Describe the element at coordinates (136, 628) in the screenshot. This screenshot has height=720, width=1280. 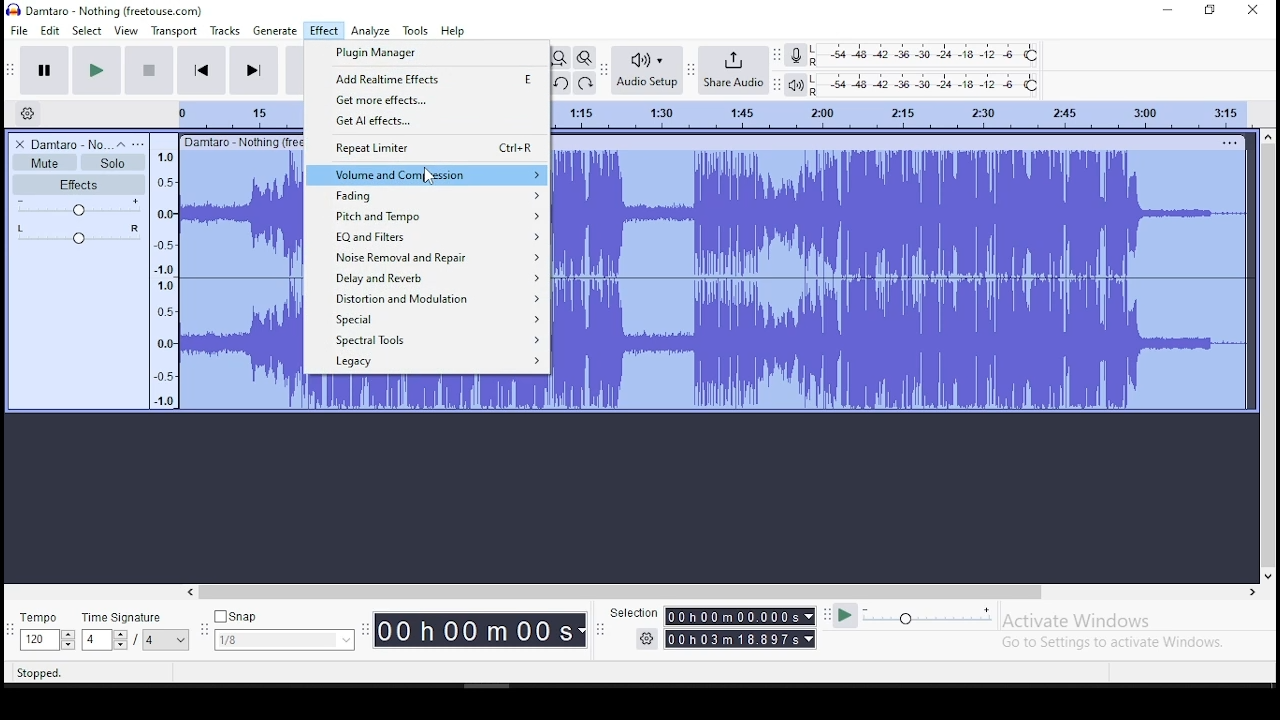
I see `time signature` at that location.